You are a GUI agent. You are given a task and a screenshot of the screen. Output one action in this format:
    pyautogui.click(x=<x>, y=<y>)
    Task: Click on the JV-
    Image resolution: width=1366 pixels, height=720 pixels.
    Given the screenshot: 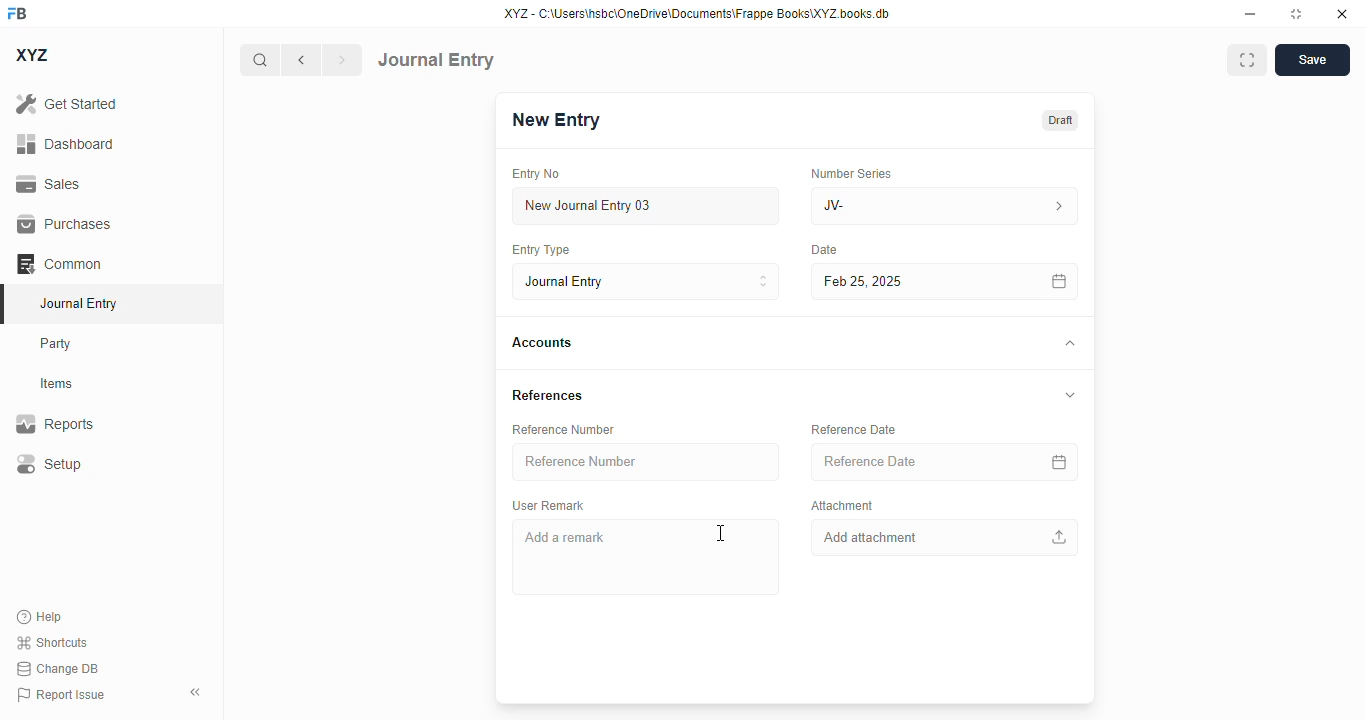 What is the action you would take?
    pyautogui.click(x=898, y=206)
    